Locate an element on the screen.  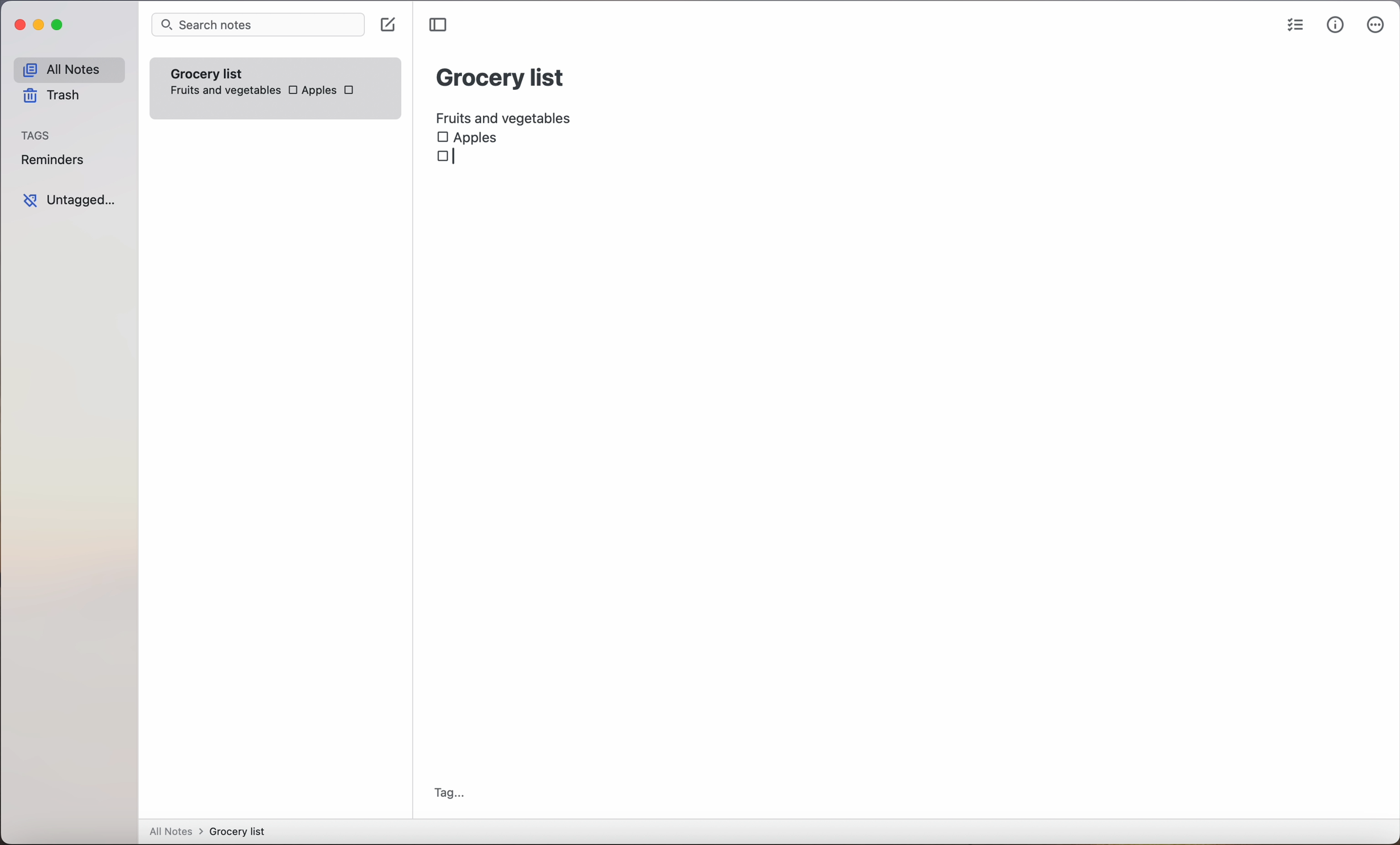
checkbox is located at coordinates (352, 92).